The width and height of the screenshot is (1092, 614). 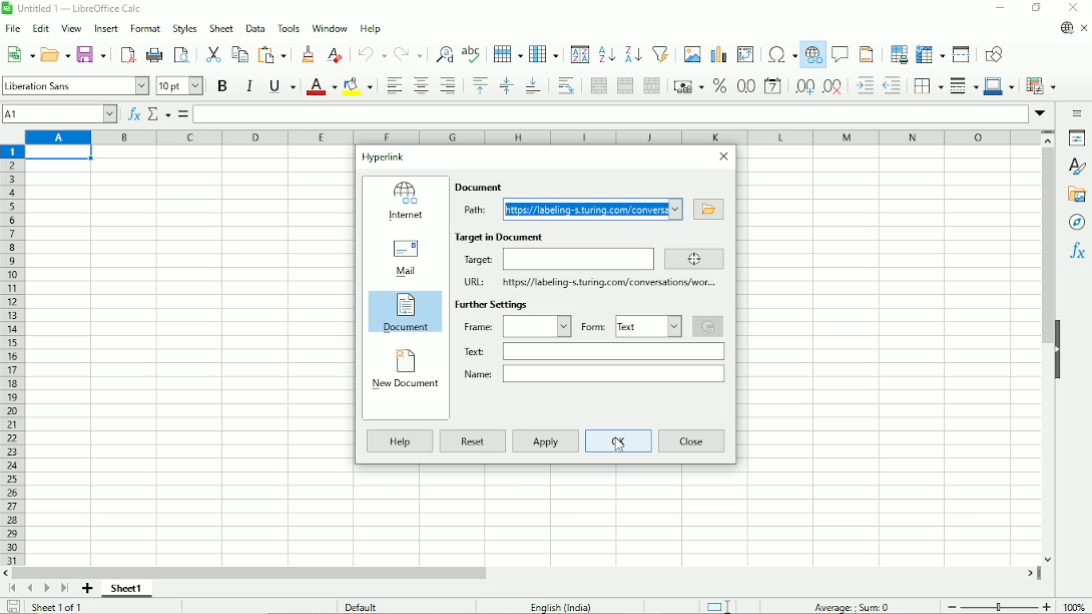 I want to click on Browse, so click(x=708, y=209).